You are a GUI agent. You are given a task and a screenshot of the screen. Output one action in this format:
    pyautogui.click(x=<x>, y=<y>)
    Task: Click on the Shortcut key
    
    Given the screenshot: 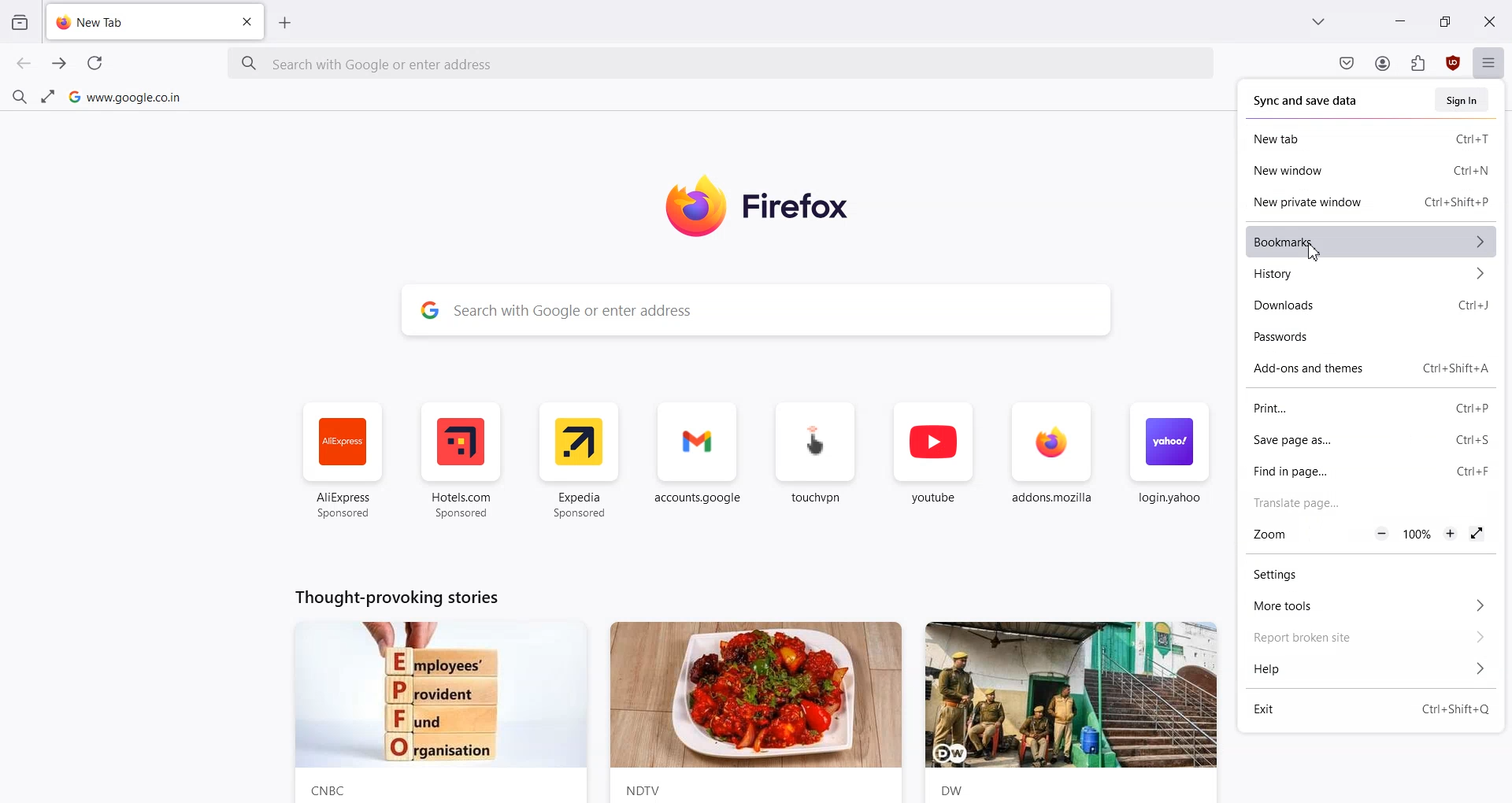 What is the action you would take?
    pyautogui.click(x=1473, y=409)
    